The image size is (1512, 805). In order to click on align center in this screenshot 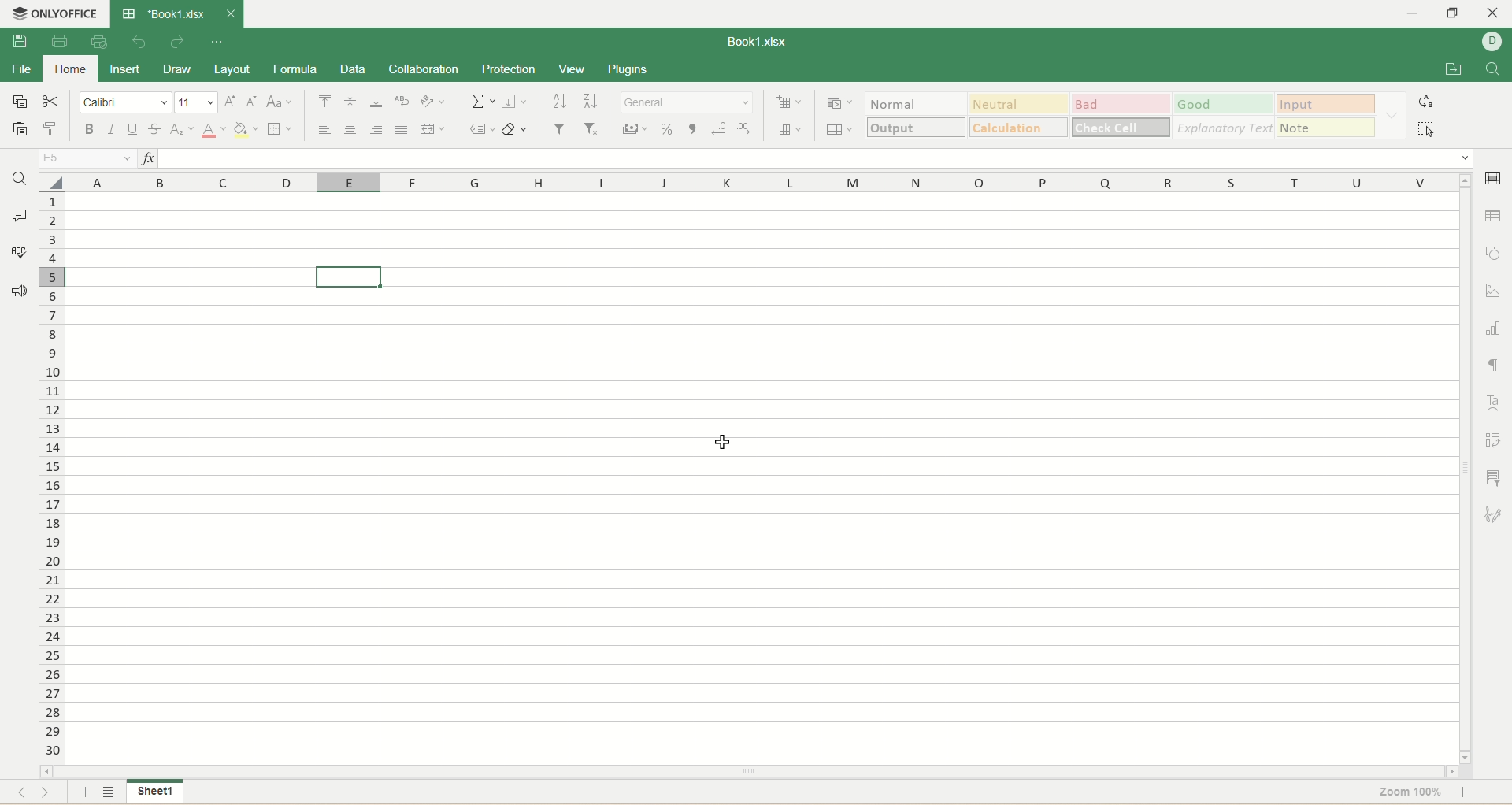, I will do `click(351, 129)`.